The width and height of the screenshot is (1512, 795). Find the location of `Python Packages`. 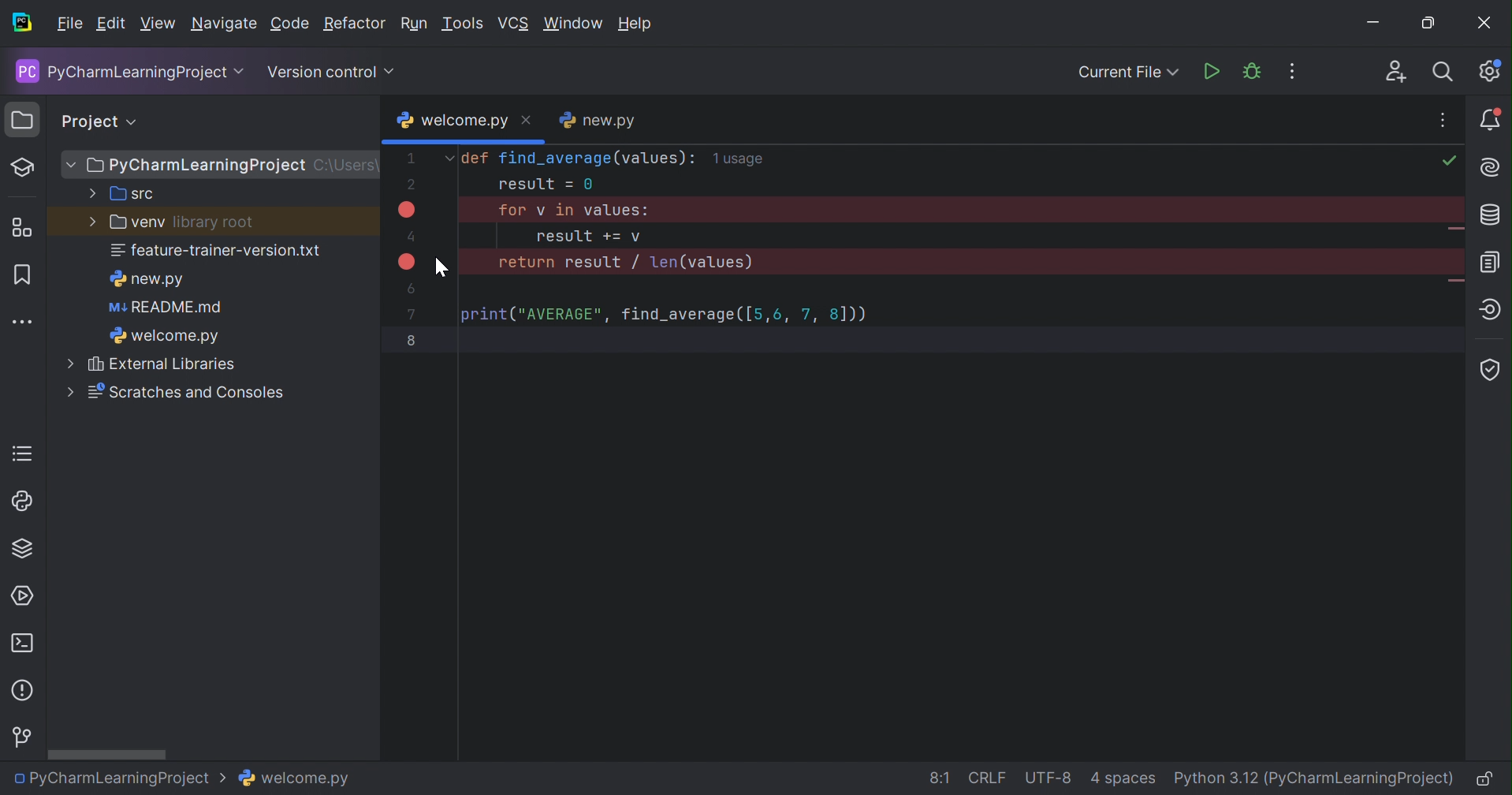

Python Packages is located at coordinates (26, 548).